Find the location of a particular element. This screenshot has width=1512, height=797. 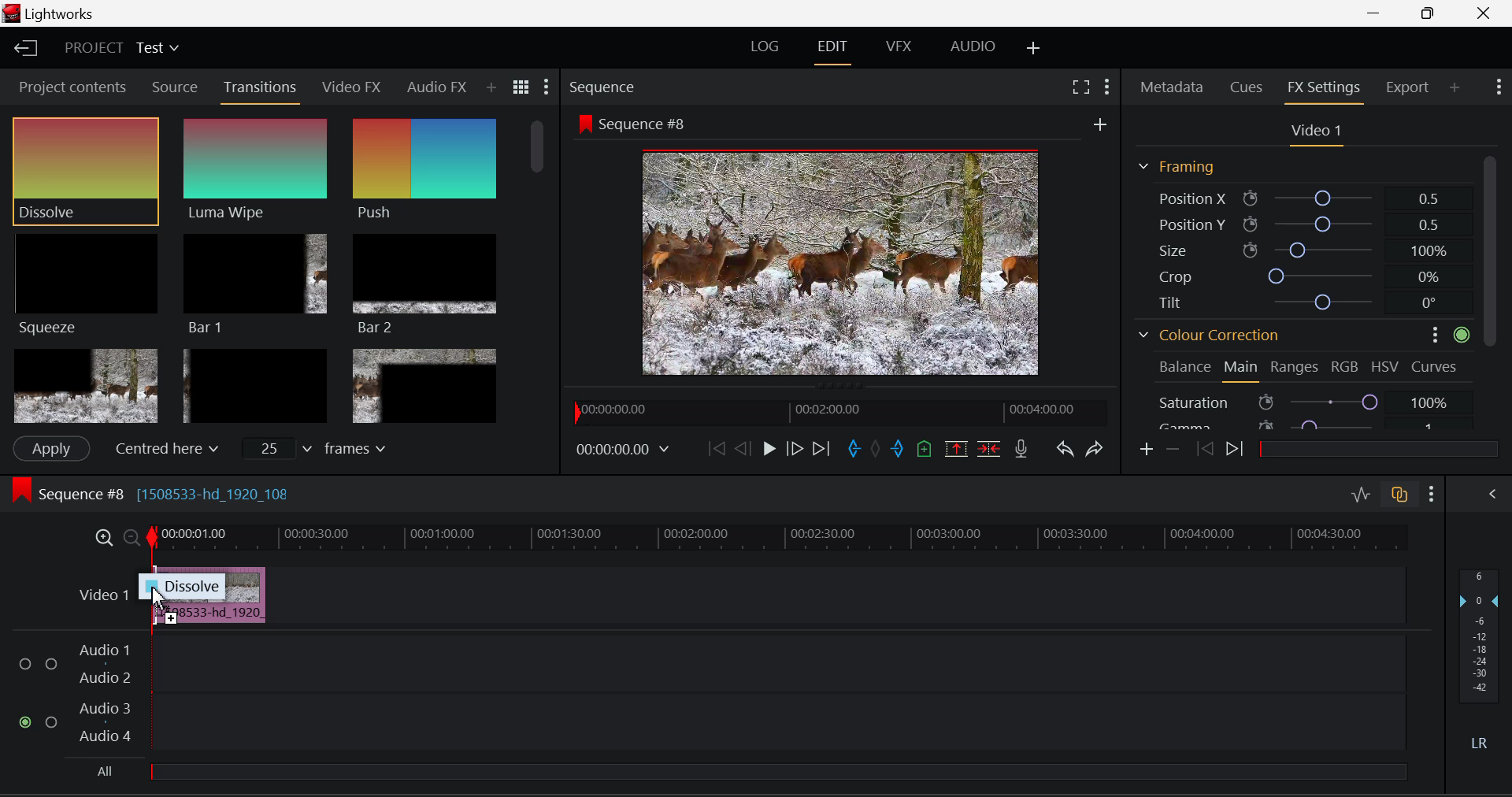

VFX is located at coordinates (898, 48).